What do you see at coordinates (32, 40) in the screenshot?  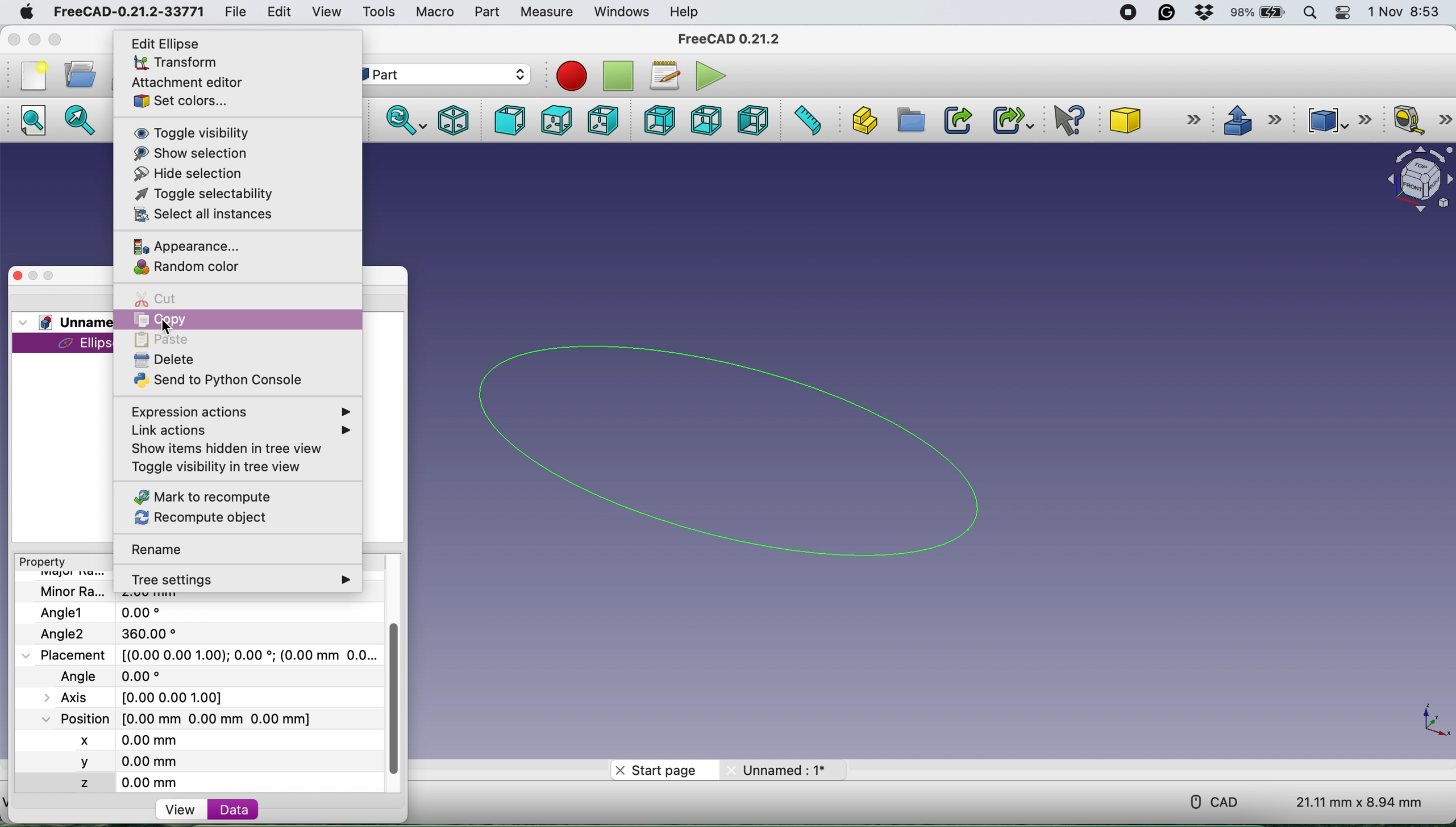 I see `minimise` at bounding box center [32, 40].